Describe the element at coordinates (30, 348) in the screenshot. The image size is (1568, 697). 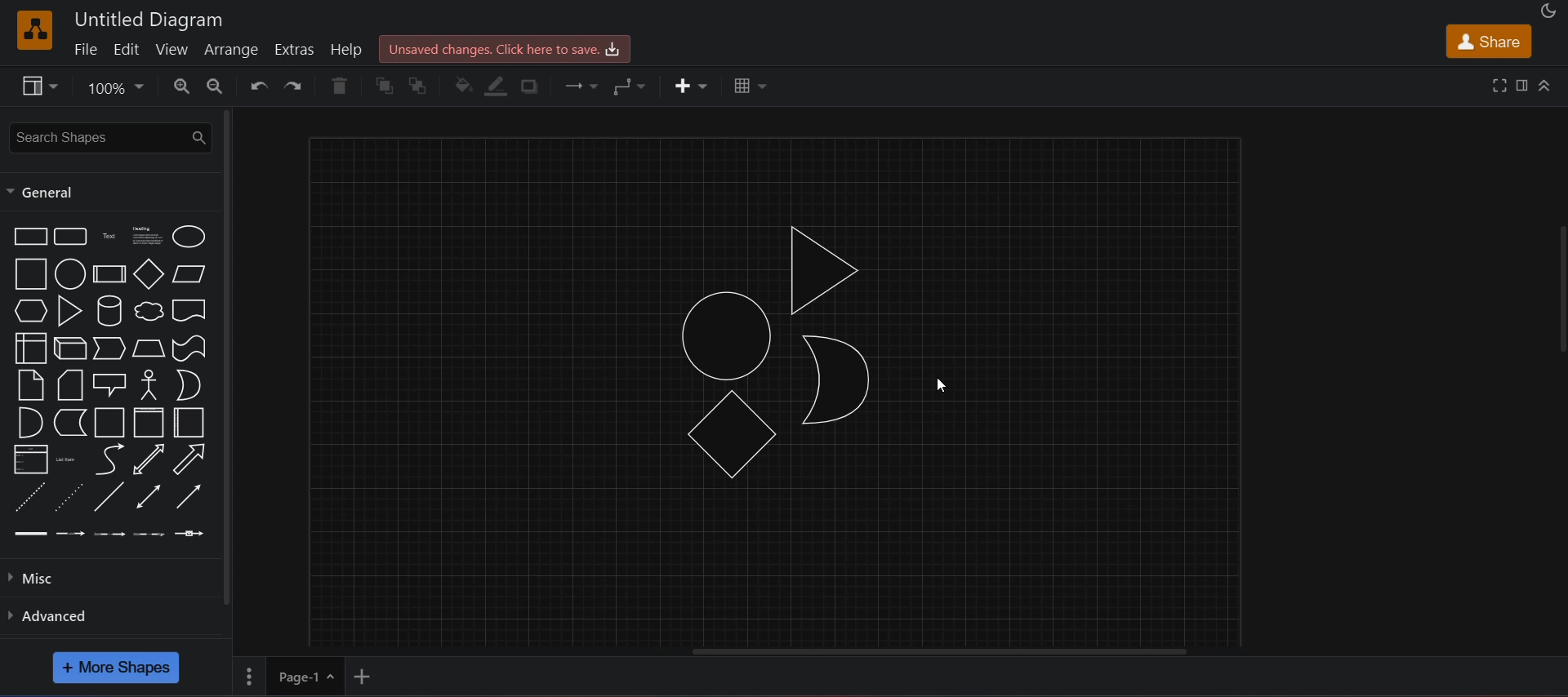
I see `internal storage` at that location.